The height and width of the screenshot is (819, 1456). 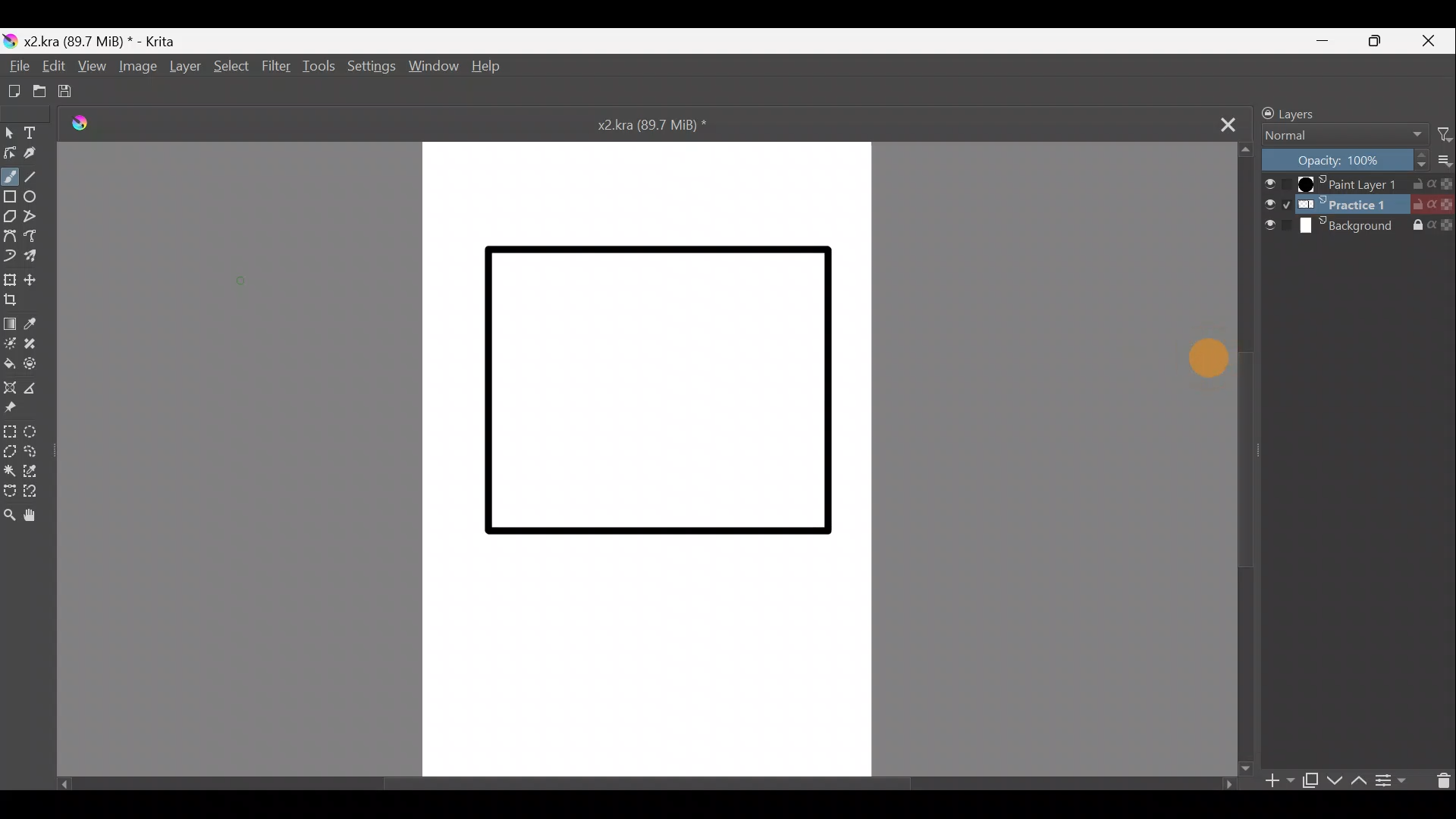 I want to click on Select, so click(x=229, y=66).